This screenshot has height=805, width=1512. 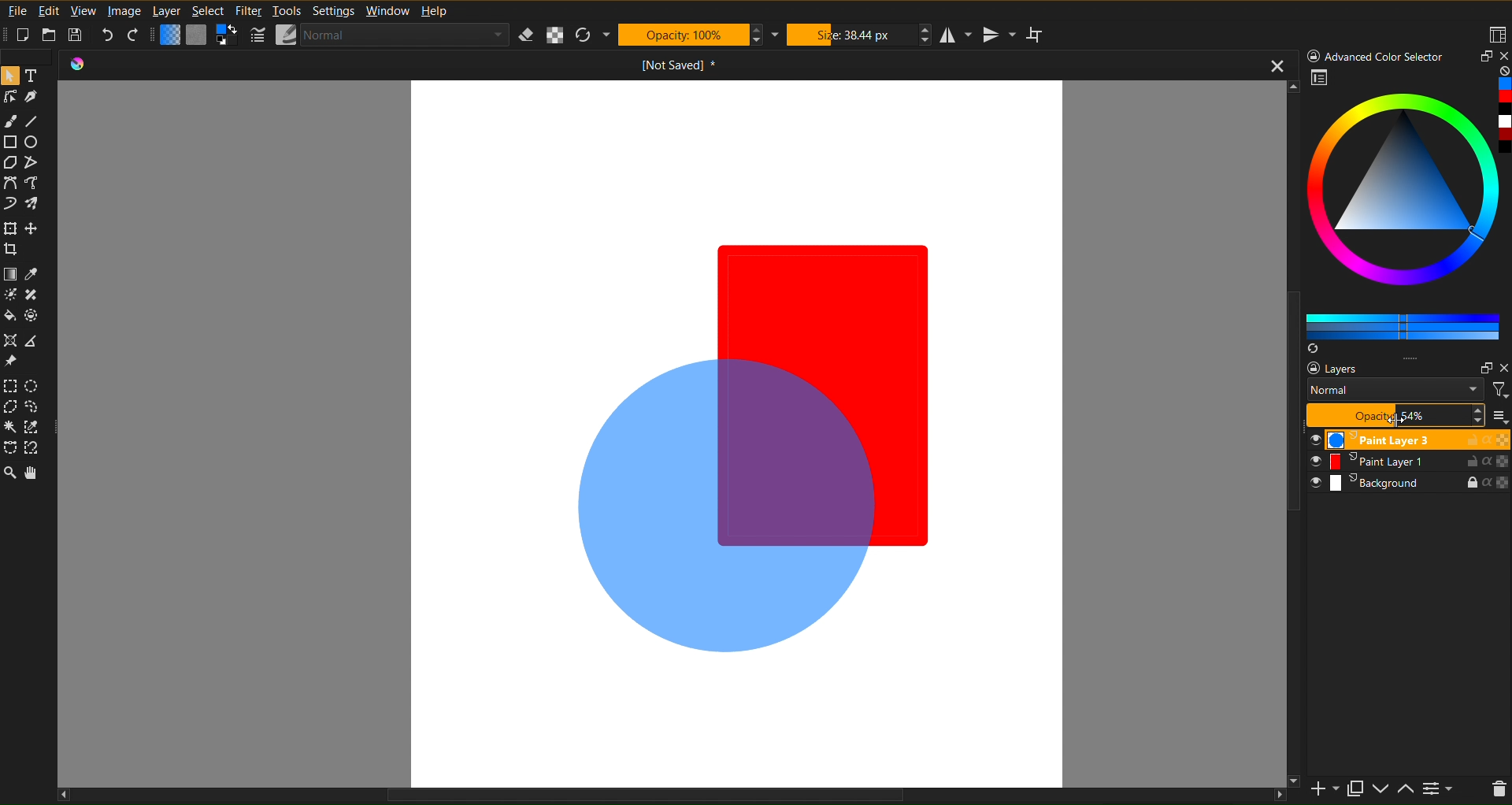 What do you see at coordinates (961, 34) in the screenshot?
I see `Horizontal Mirror` at bounding box center [961, 34].